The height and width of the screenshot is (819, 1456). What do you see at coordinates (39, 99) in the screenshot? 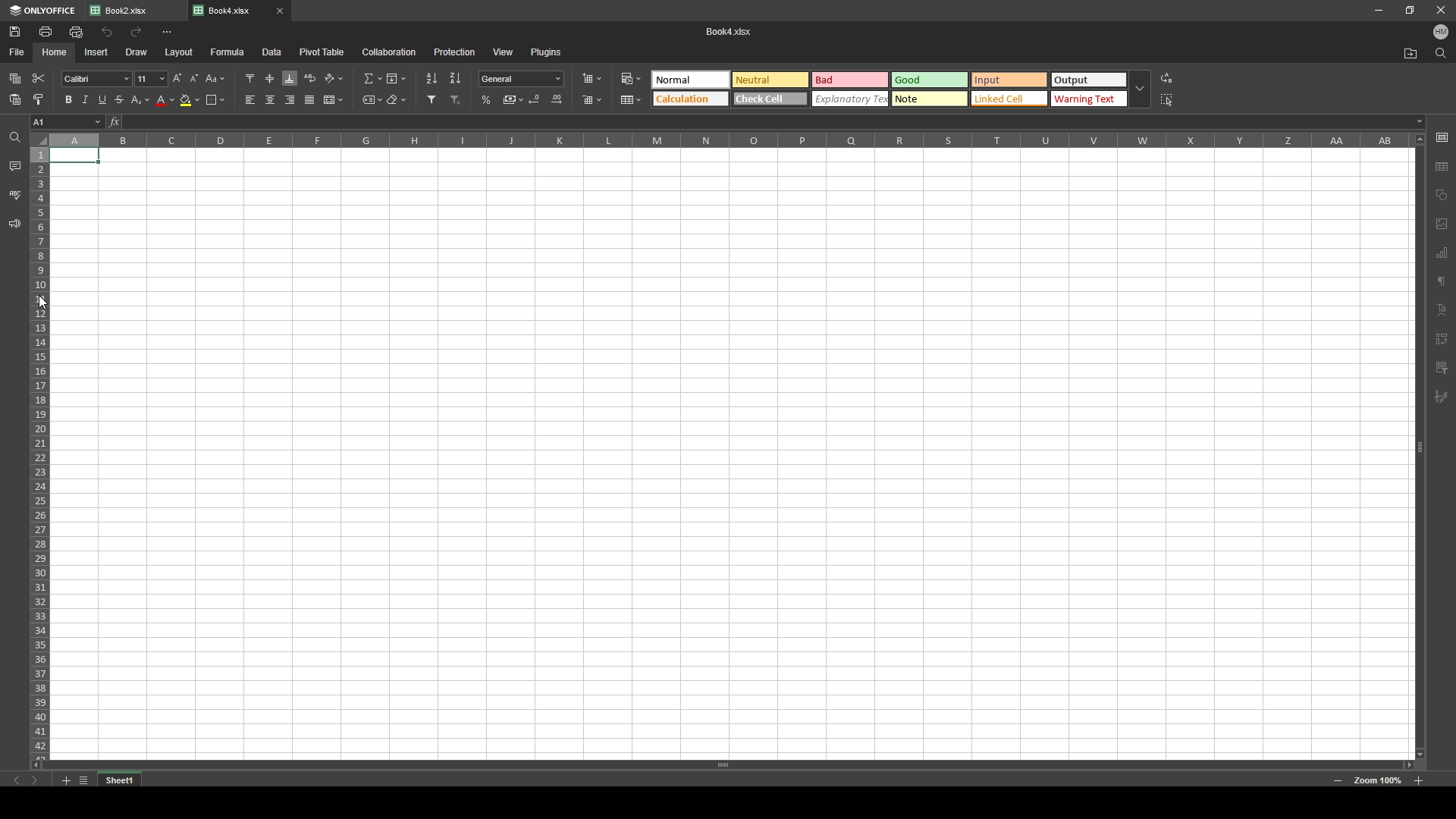
I see `copy style` at bounding box center [39, 99].